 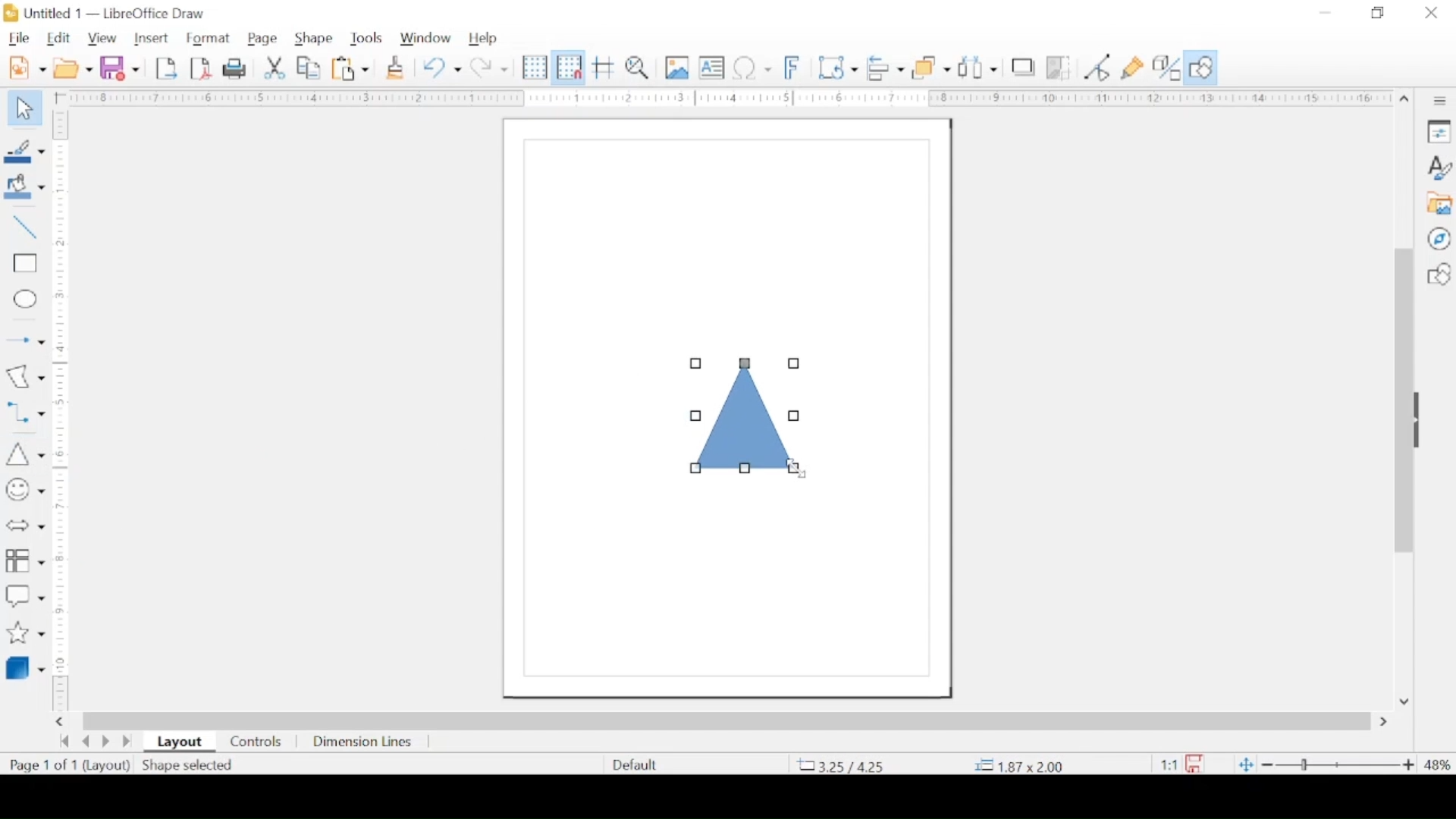 What do you see at coordinates (202, 69) in the screenshot?
I see `export directly as pdf` at bounding box center [202, 69].